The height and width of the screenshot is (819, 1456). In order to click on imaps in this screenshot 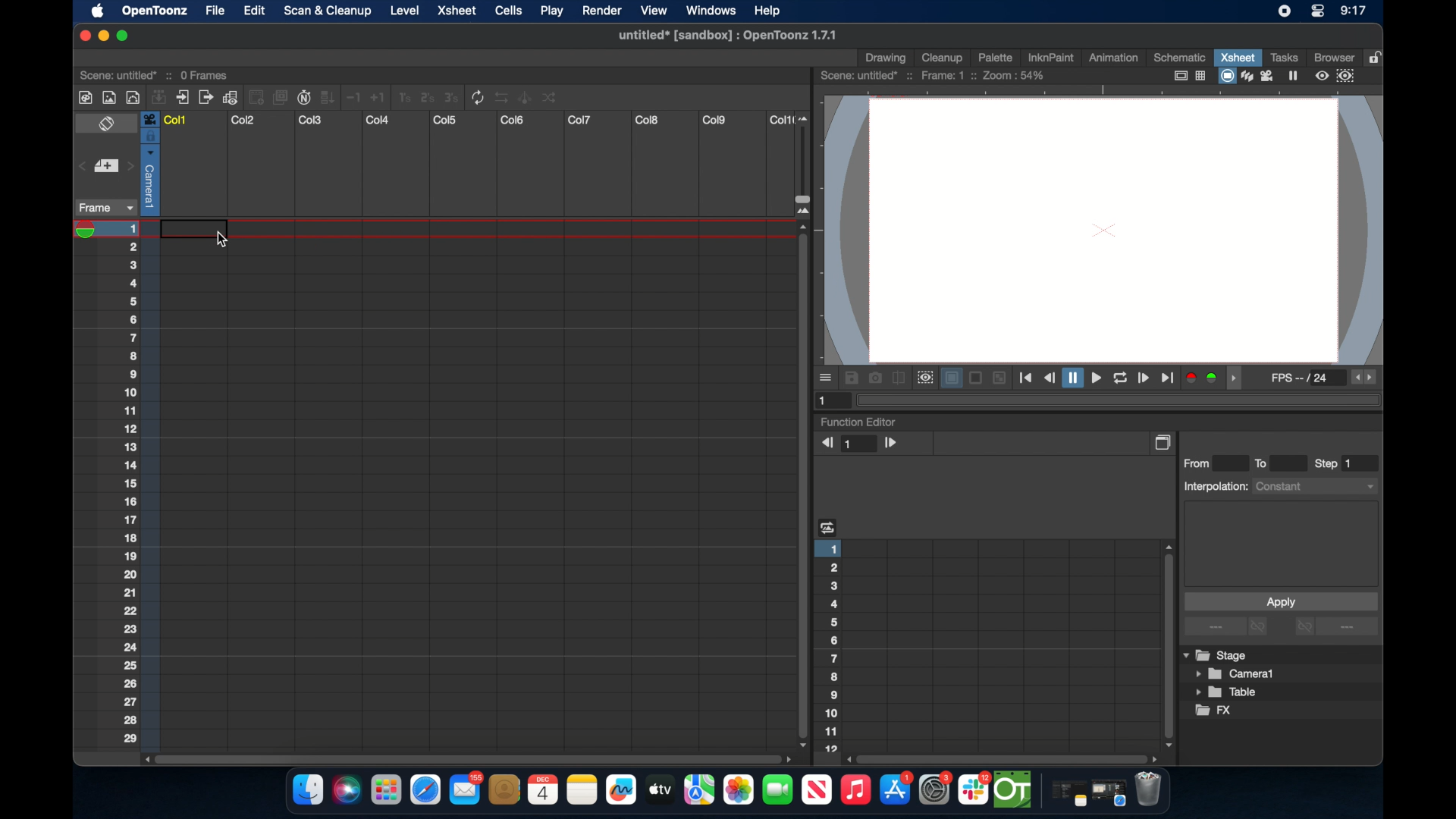, I will do `click(699, 790)`.